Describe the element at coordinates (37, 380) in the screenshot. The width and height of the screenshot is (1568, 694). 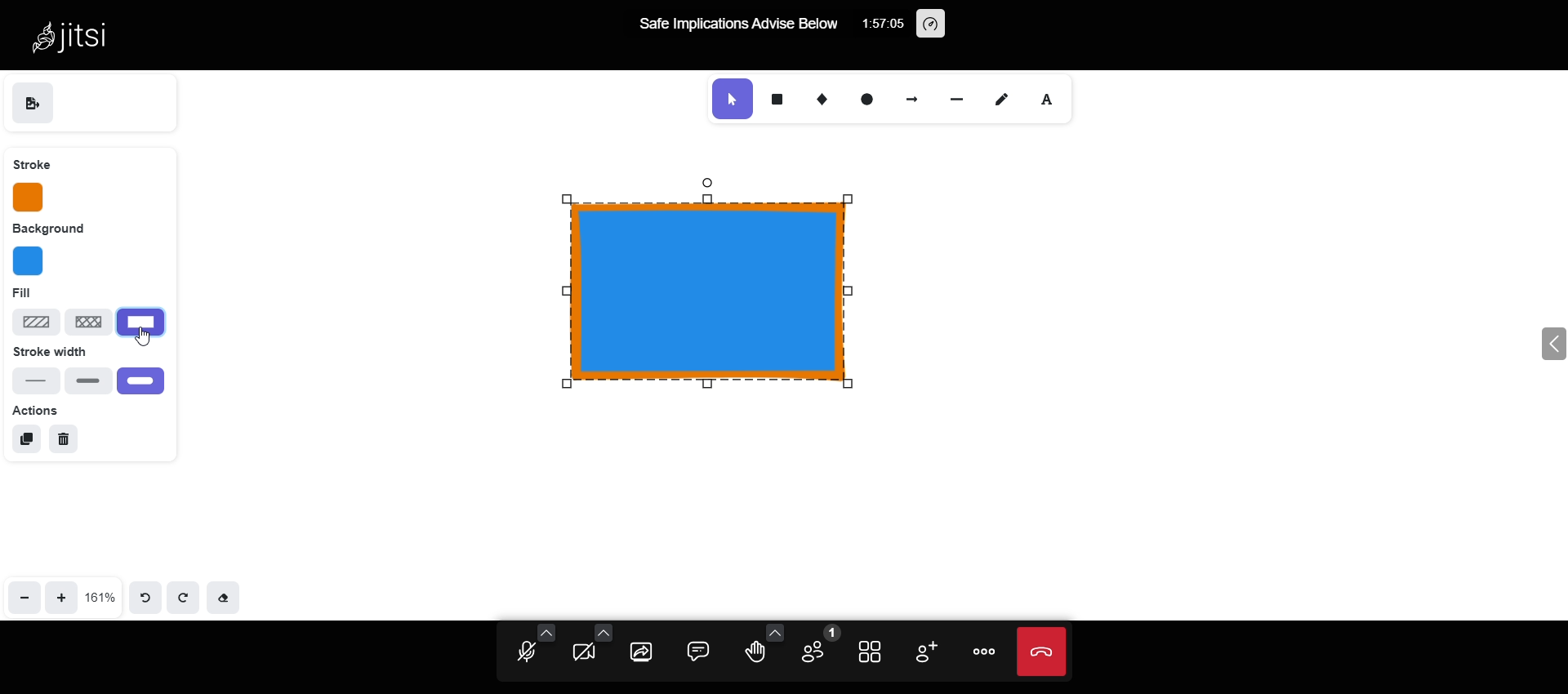
I see `thin` at that location.